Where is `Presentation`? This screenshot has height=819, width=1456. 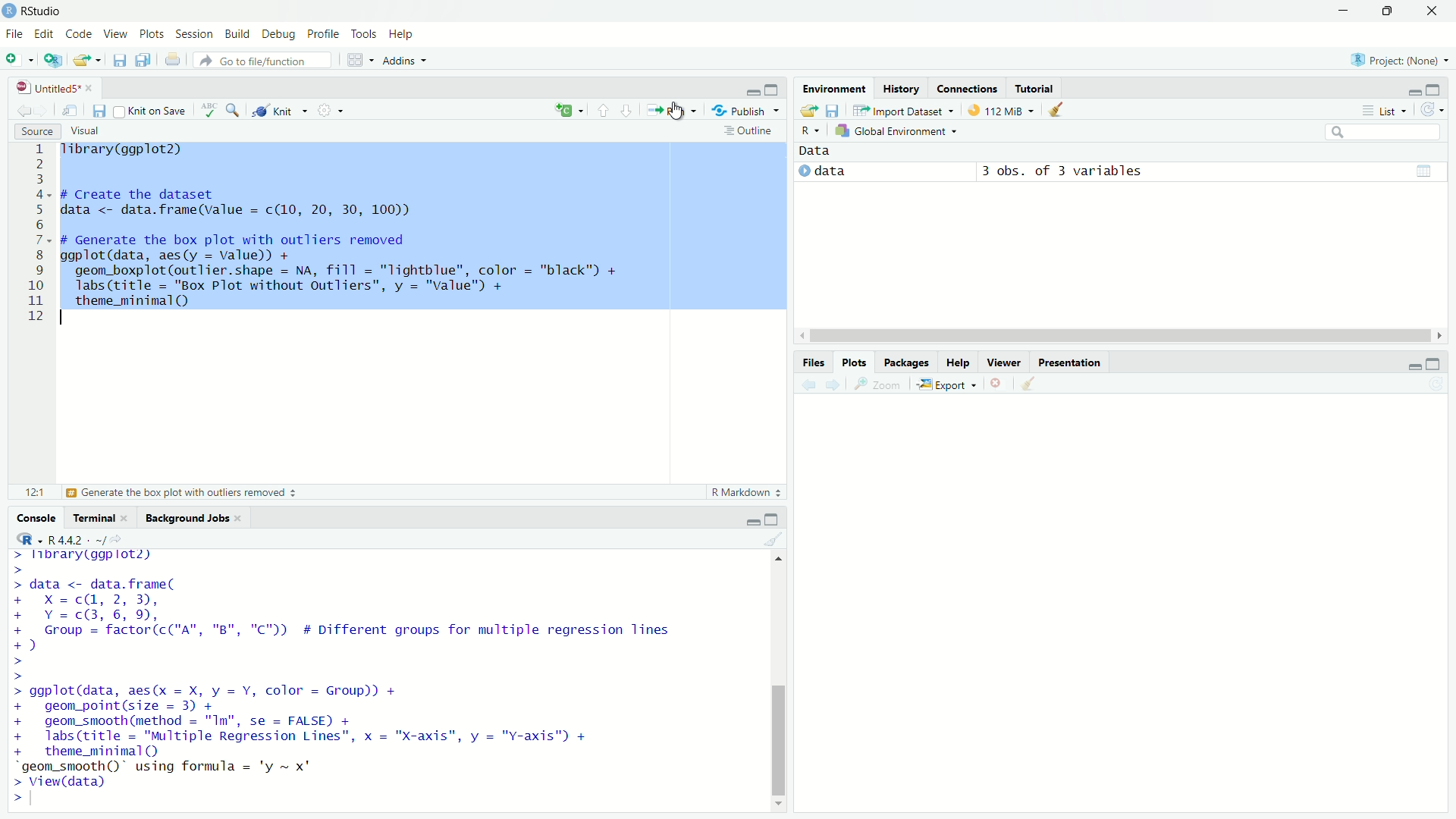
Presentation is located at coordinates (1069, 360).